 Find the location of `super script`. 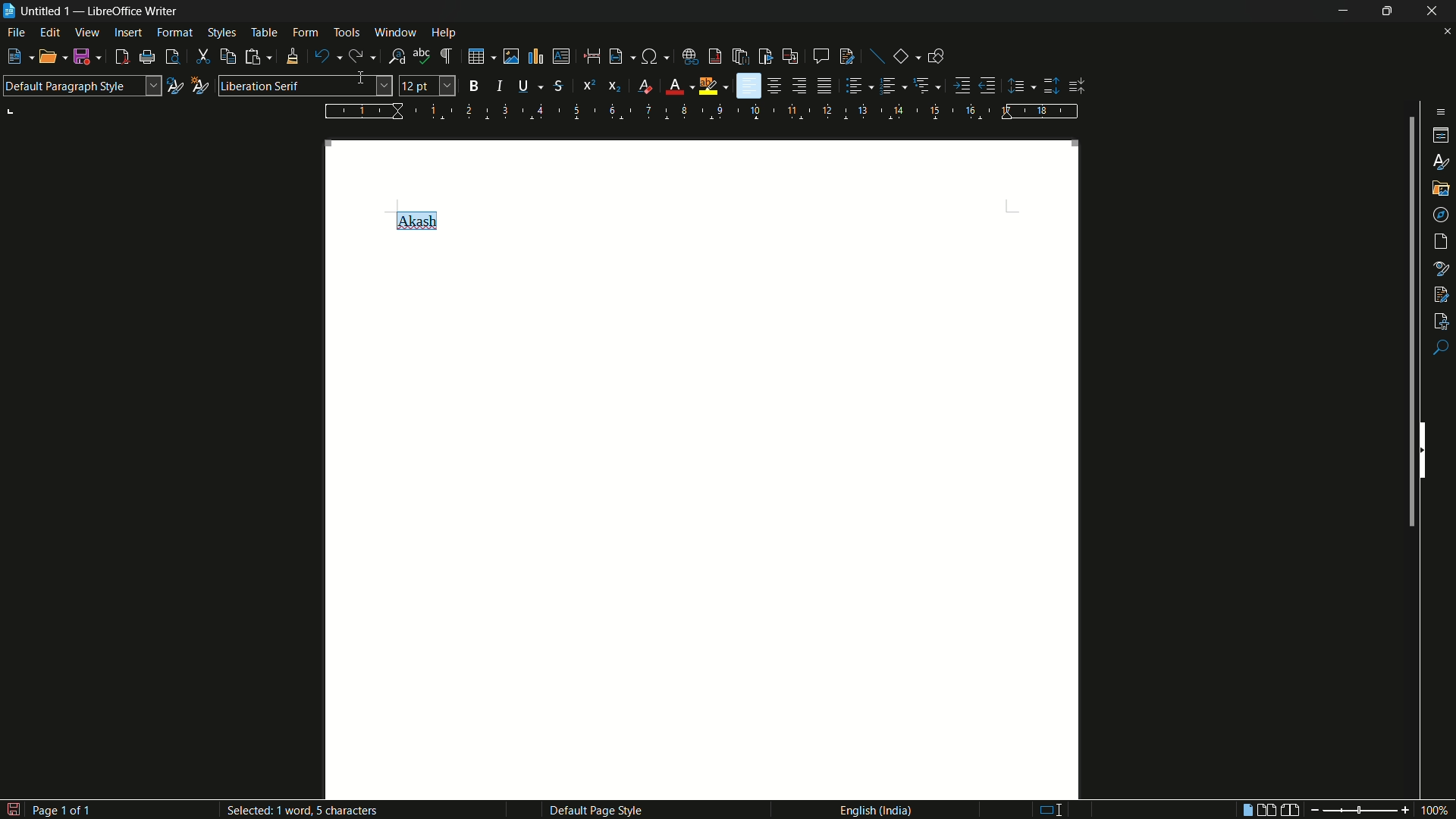

super script is located at coordinates (588, 84).